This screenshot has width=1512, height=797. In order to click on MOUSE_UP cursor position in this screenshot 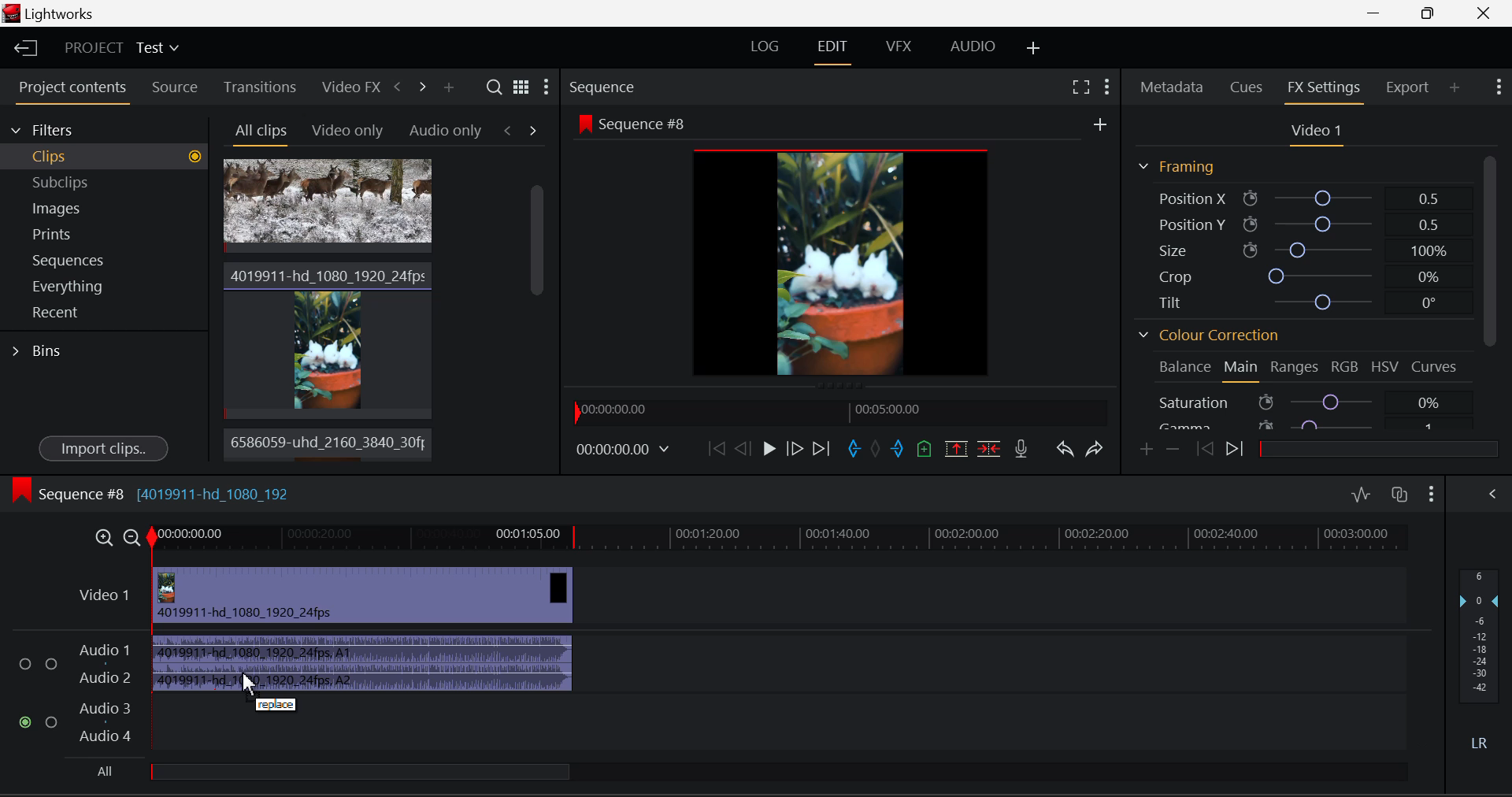, I will do `click(246, 687)`.